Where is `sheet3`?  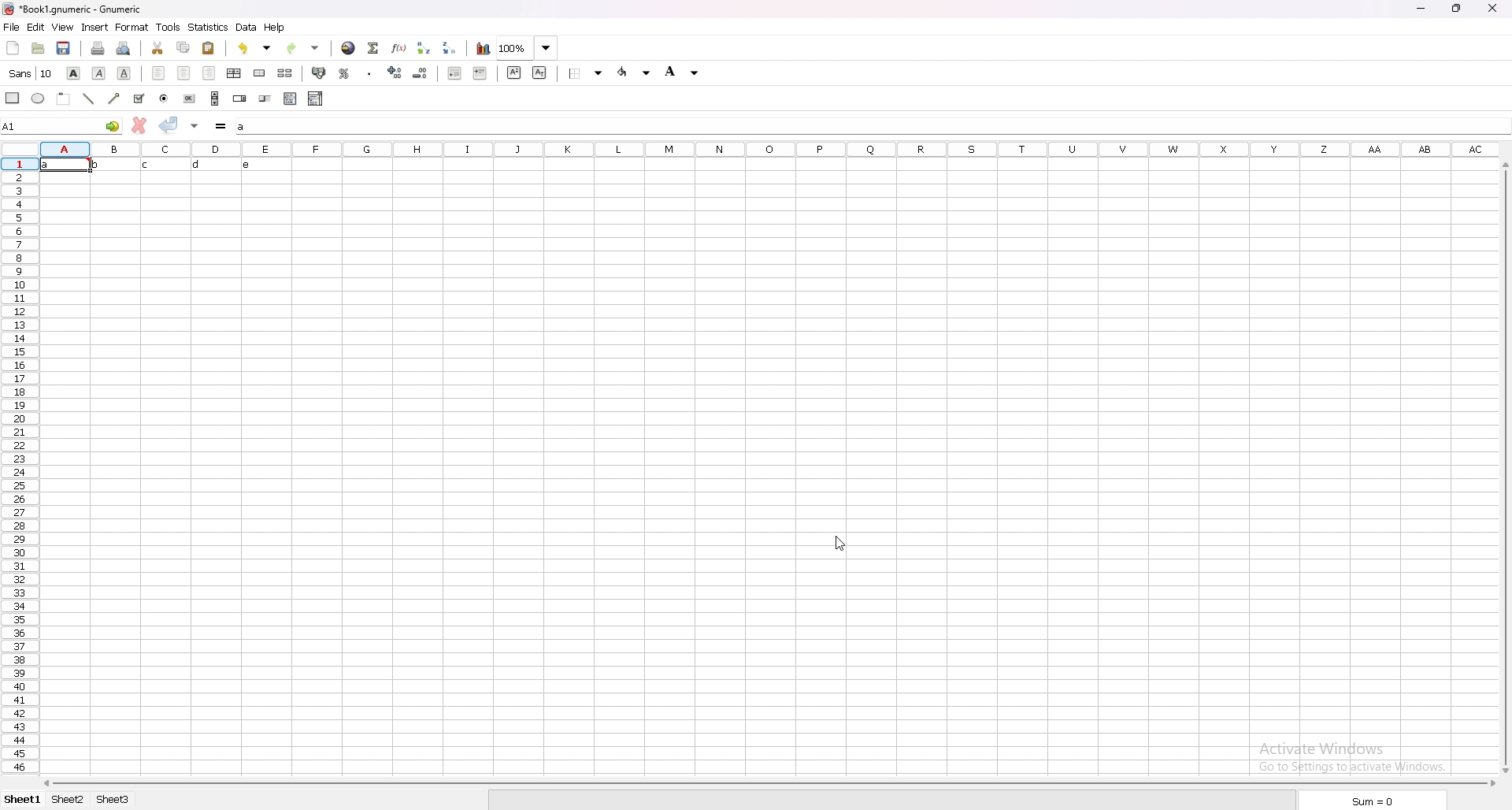 sheet3 is located at coordinates (114, 803).